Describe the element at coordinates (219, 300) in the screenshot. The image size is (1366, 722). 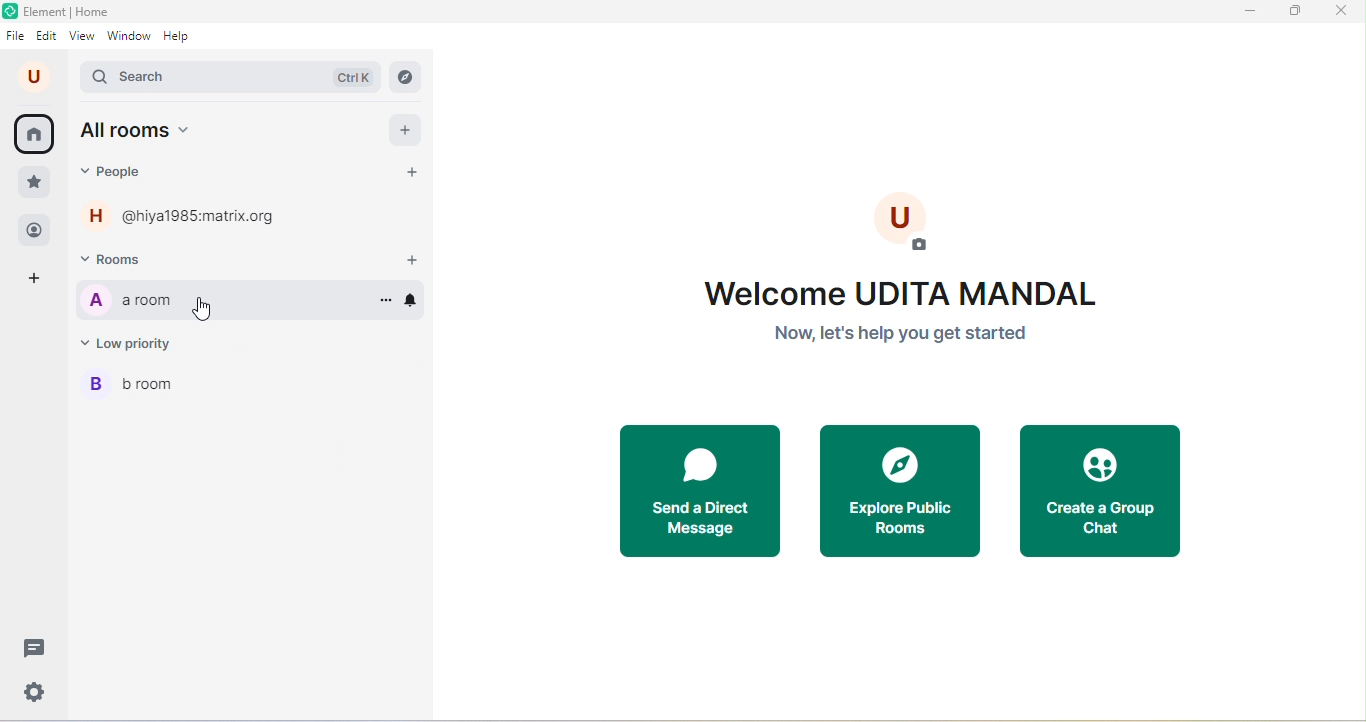
I see `a room` at that location.